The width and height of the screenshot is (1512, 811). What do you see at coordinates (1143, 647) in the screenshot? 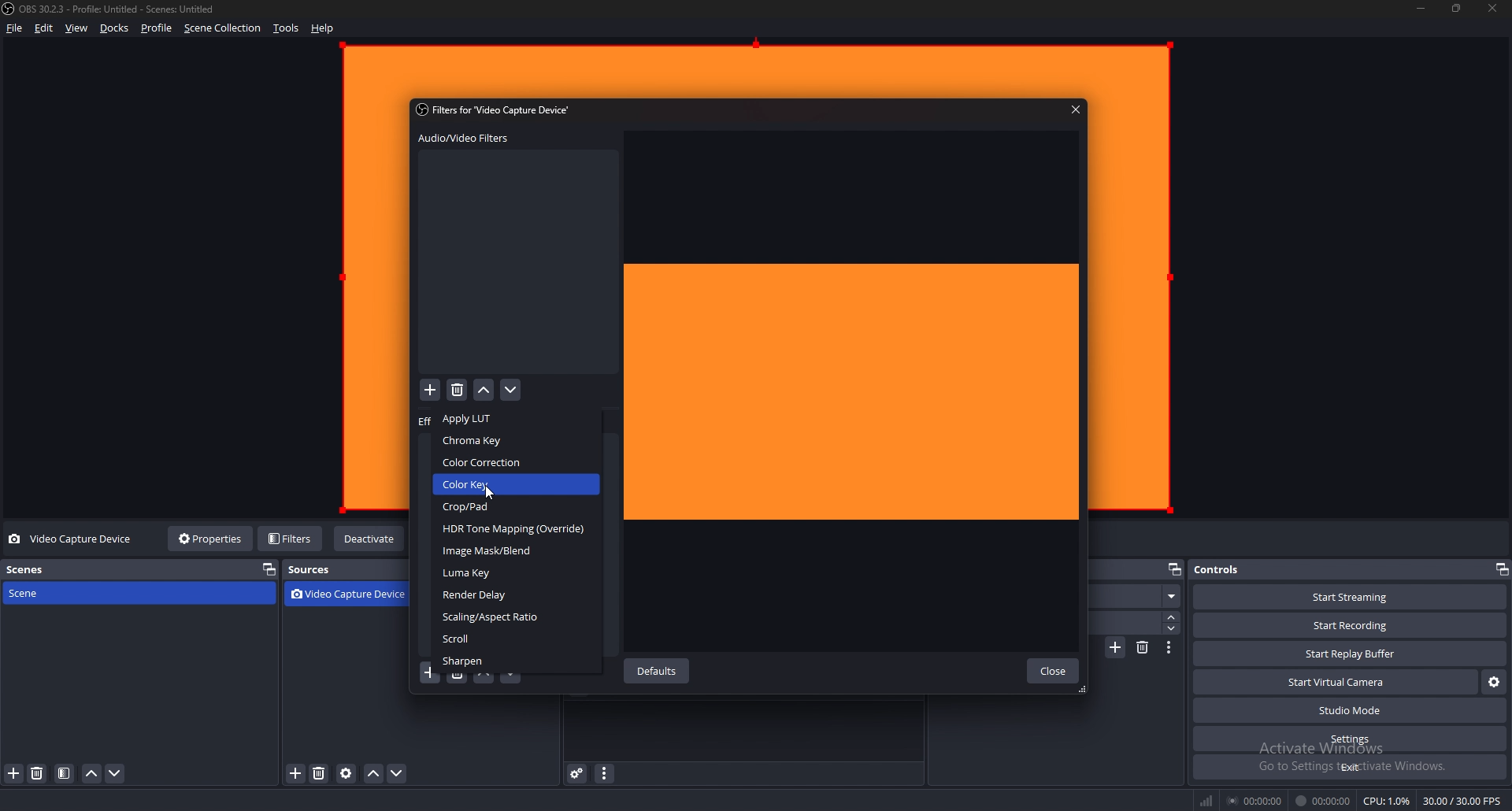
I see `delete transition` at bounding box center [1143, 647].